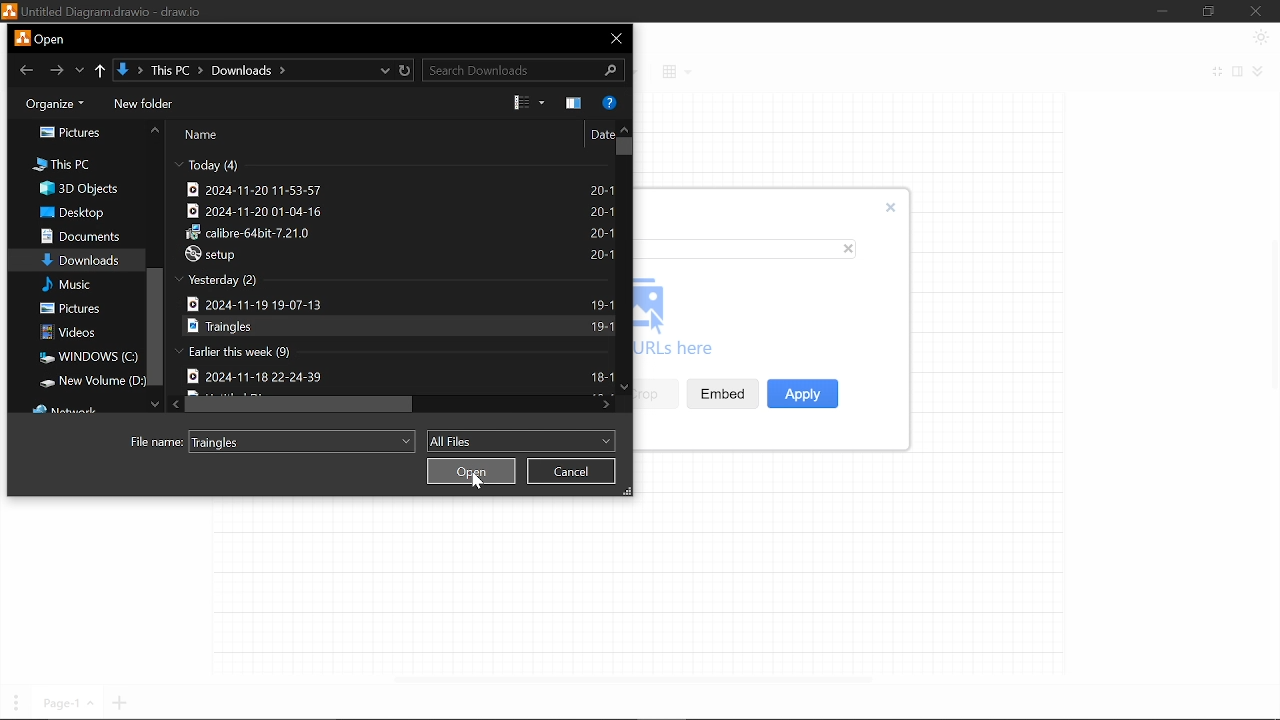  Describe the element at coordinates (77, 261) in the screenshot. I see `Downloads` at that location.